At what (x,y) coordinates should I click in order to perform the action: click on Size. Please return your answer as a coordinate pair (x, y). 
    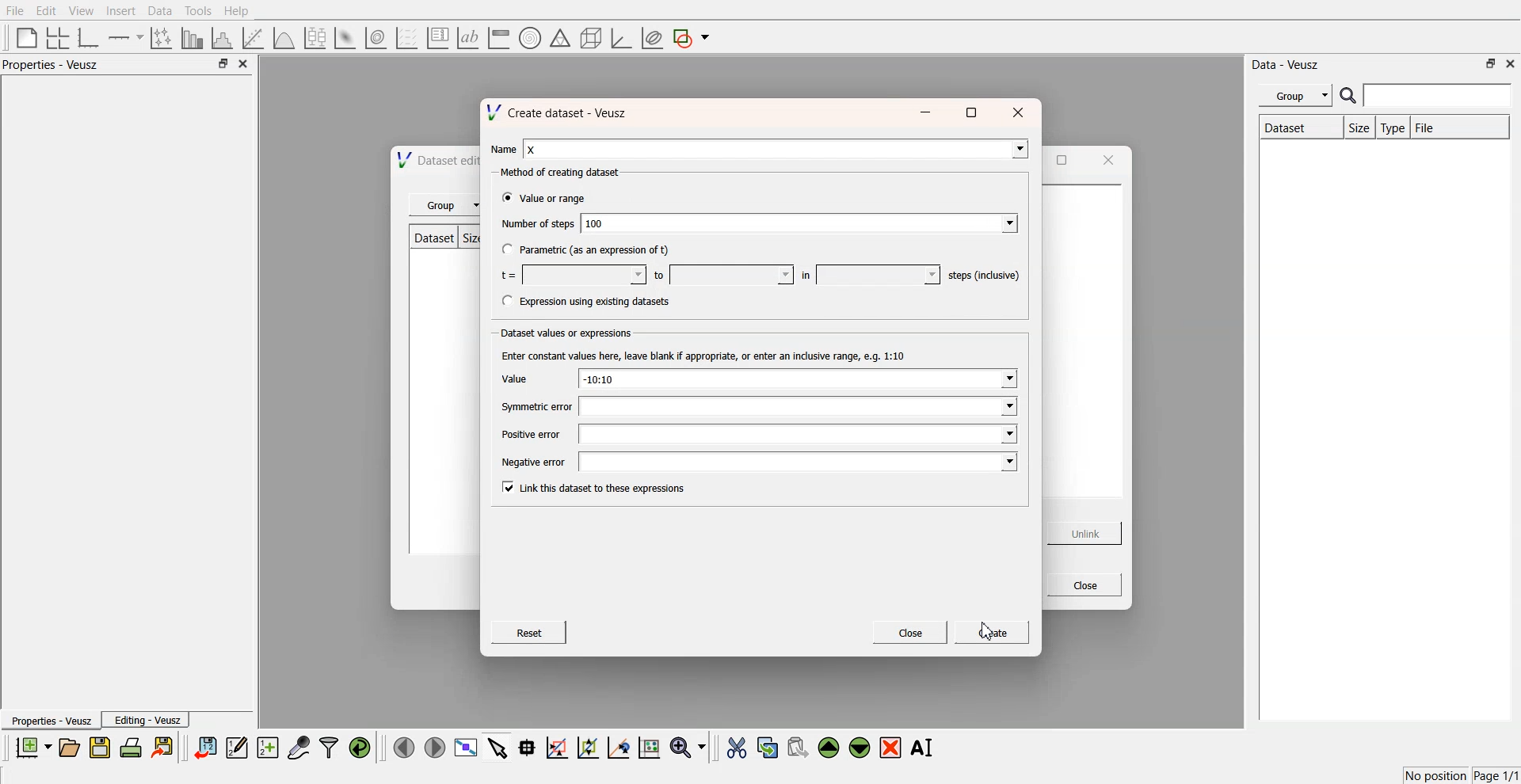
    Looking at the image, I should click on (1359, 129).